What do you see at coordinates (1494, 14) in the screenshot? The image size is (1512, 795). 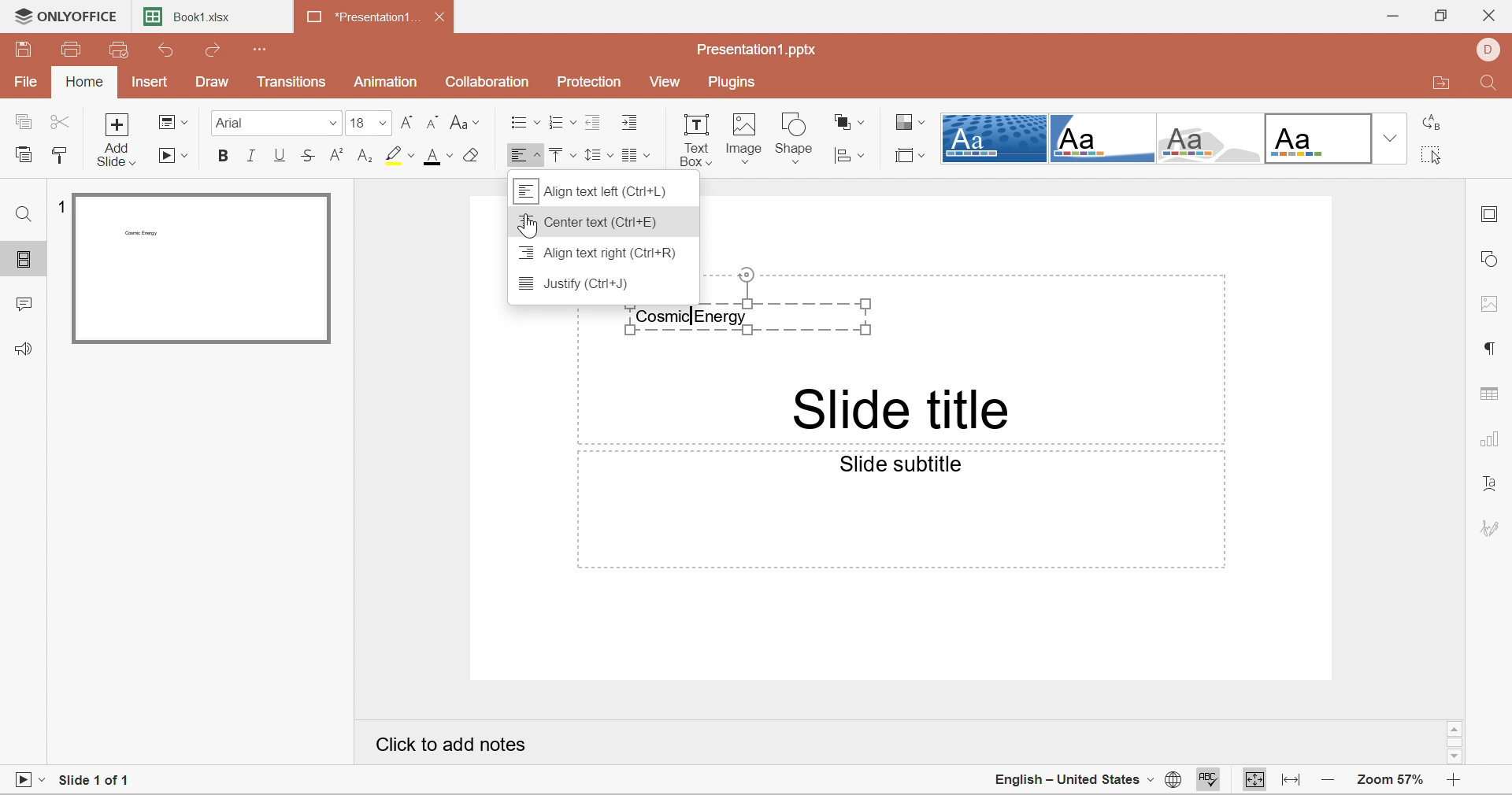 I see `Close` at bounding box center [1494, 14].